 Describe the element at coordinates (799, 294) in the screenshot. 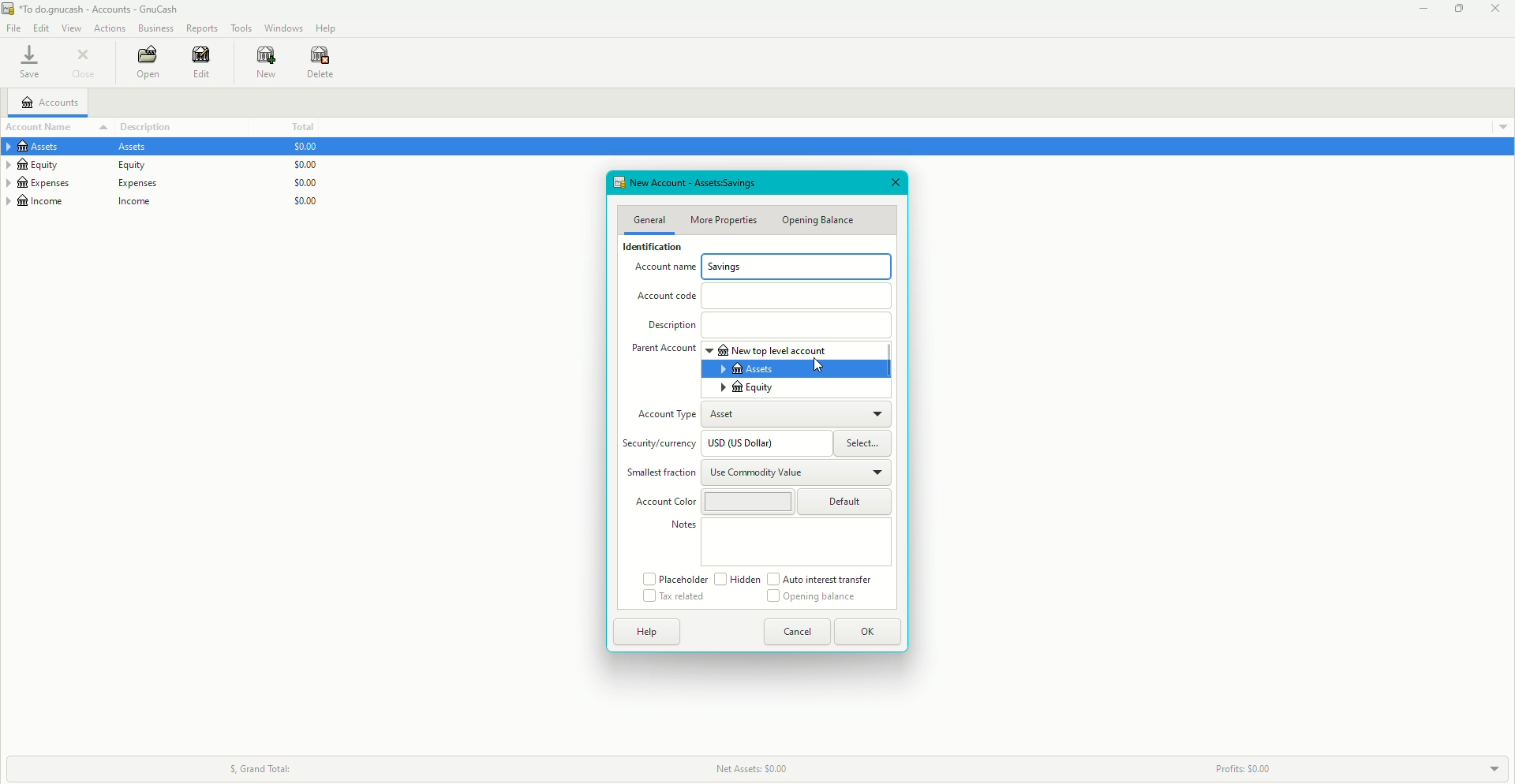

I see `Typing box for account code` at that location.